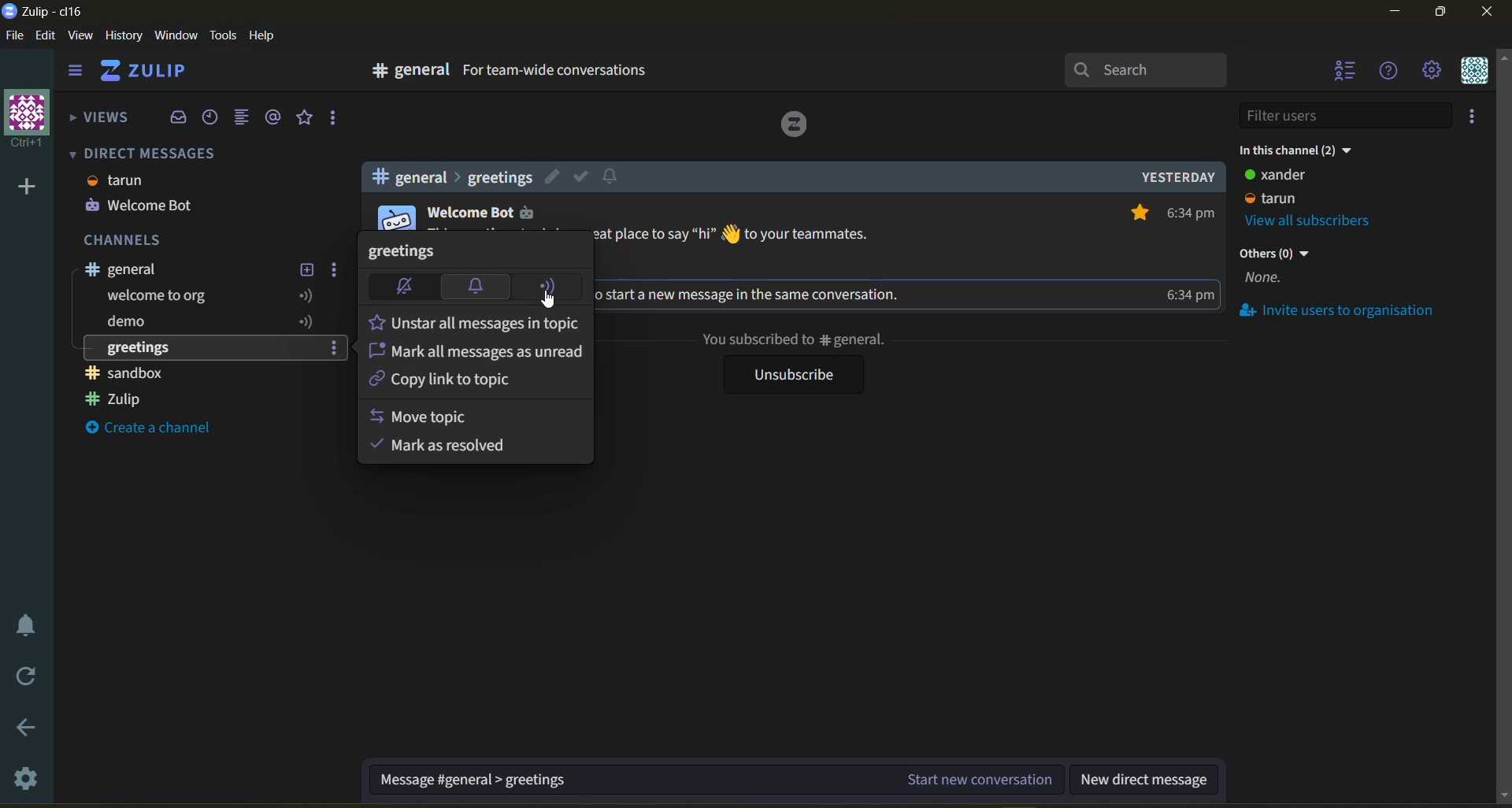  I want to click on mentions, so click(277, 117).